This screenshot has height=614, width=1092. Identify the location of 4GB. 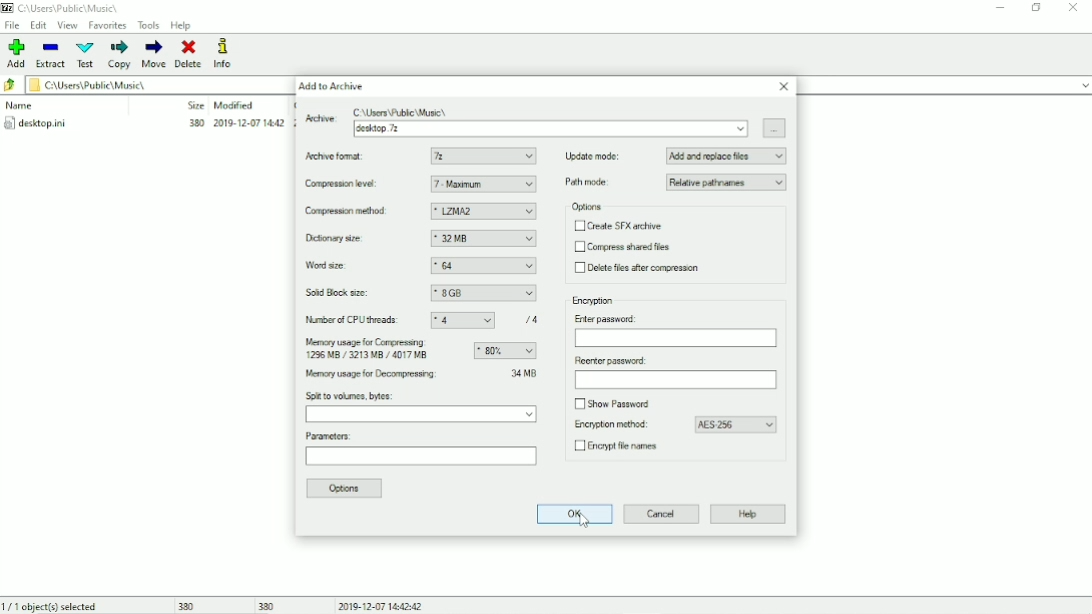
(483, 294).